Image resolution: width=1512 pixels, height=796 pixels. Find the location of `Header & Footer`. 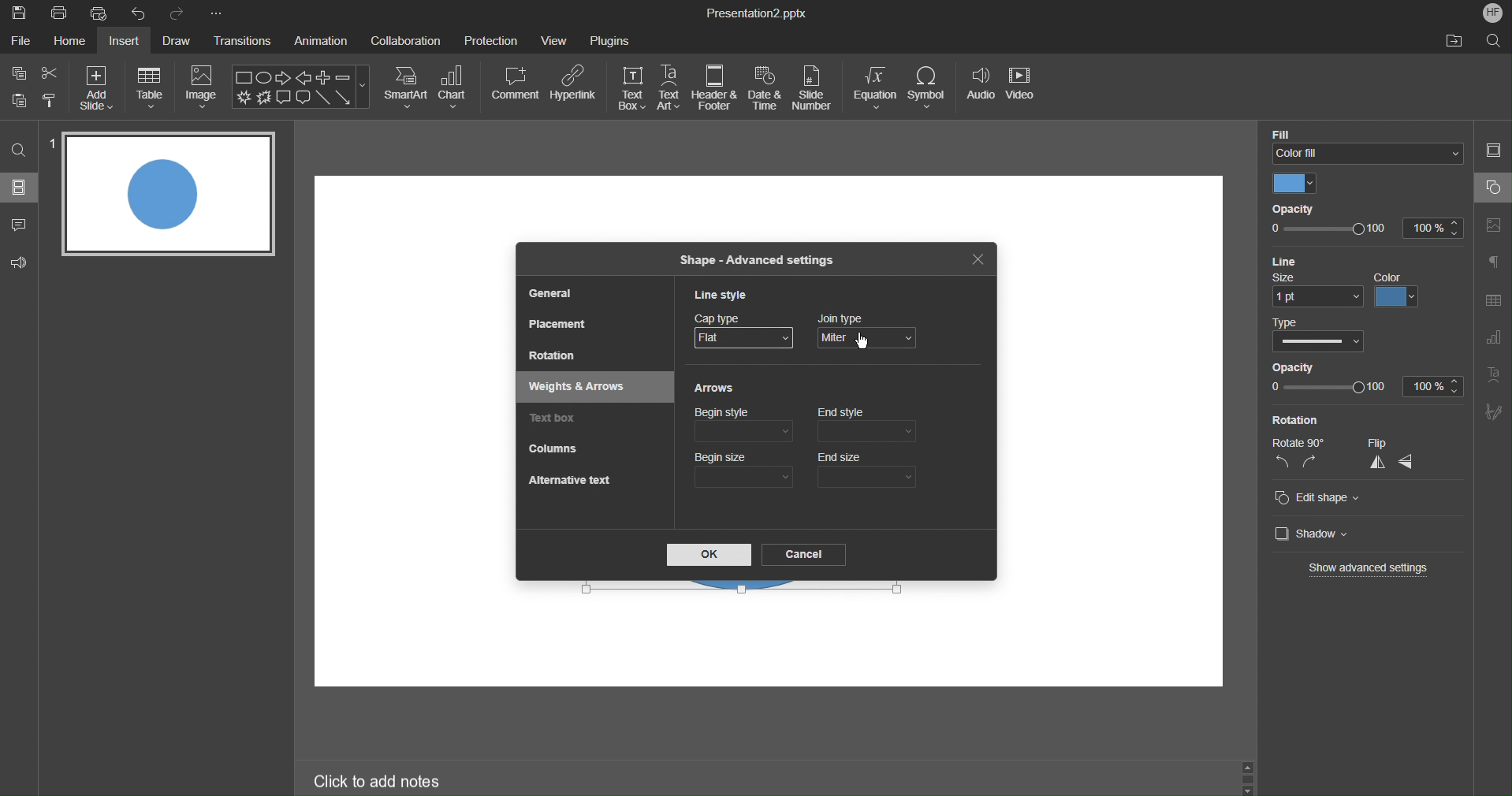

Header & Footer is located at coordinates (715, 88).